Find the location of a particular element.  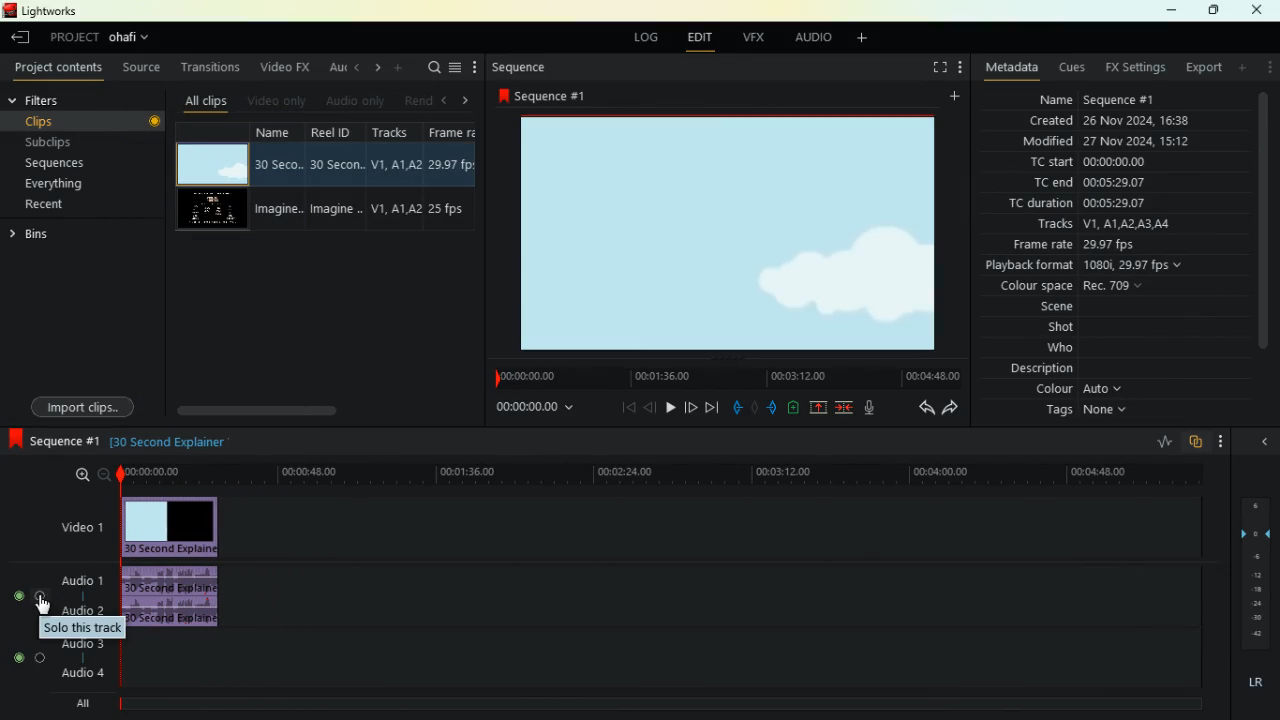

edit is located at coordinates (697, 38).